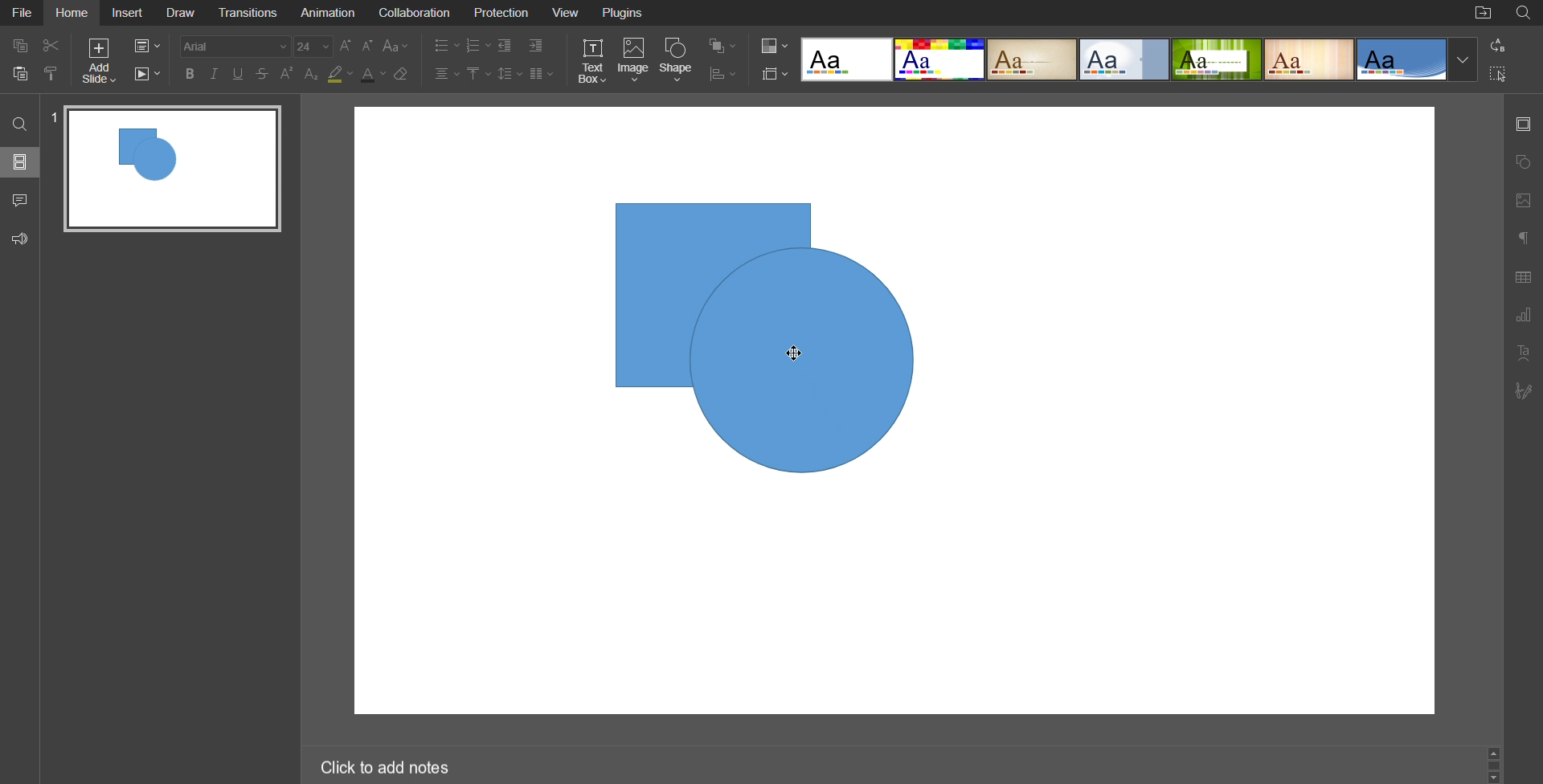 The width and height of the screenshot is (1543, 784). Describe the element at coordinates (1523, 354) in the screenshot. I see `Text Art` at that location.